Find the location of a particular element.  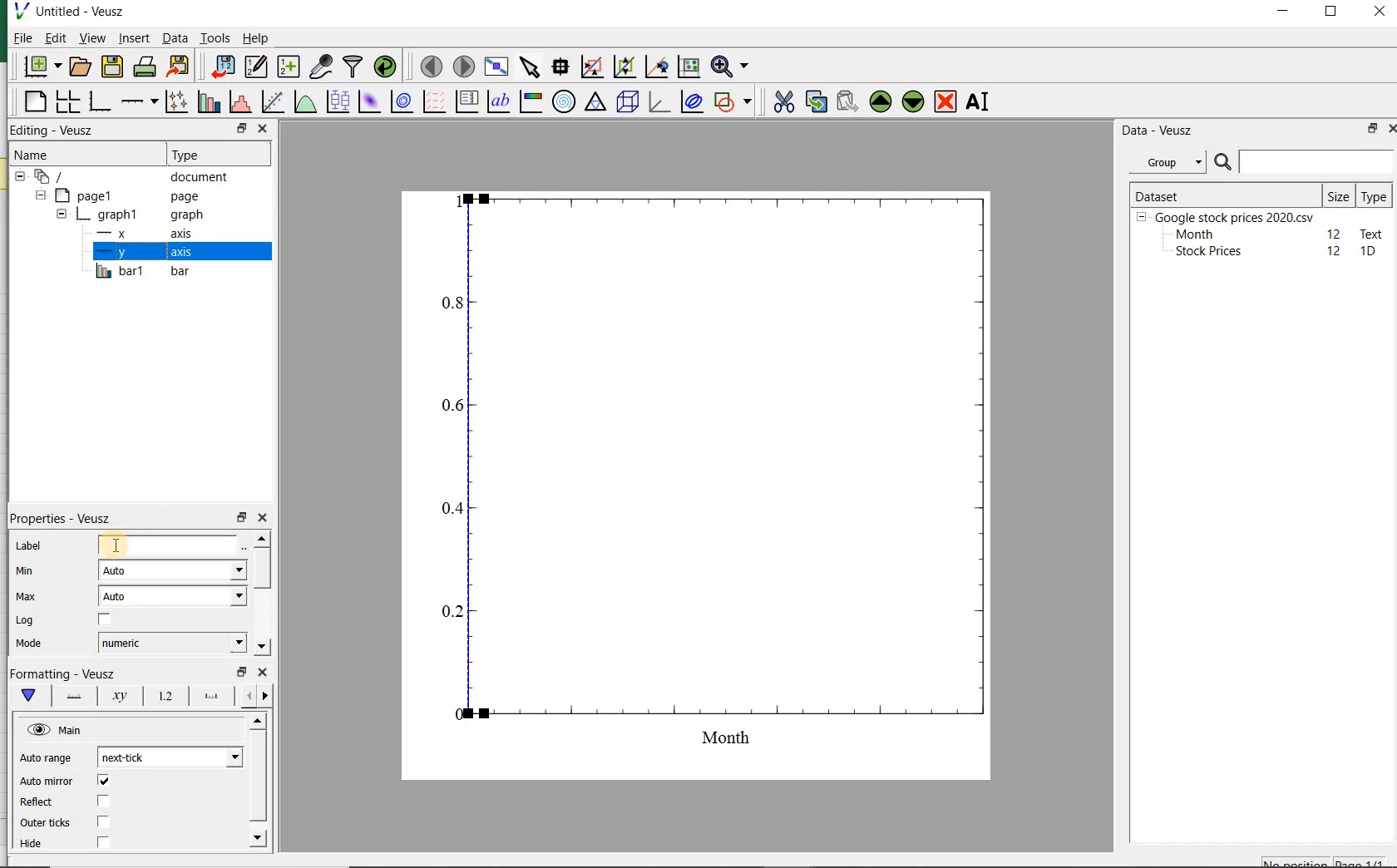

Auto is located at coordinates (172, 570).